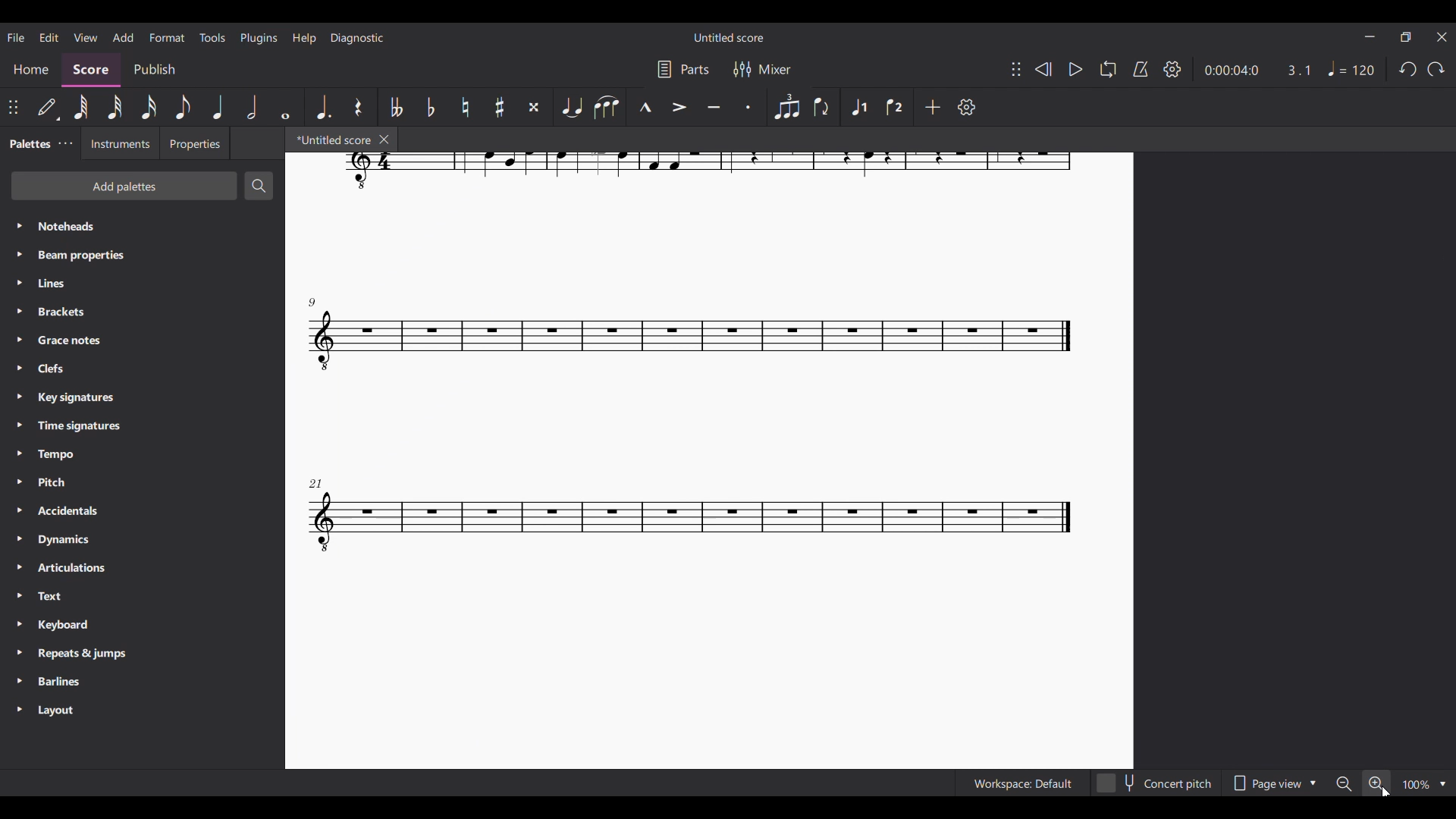 The height and width of the screenshot is (819, 1456). What do you see at coordinates (125, 186) in the screenshot?
I see `Add palettes` at bounding box center [125, 186].